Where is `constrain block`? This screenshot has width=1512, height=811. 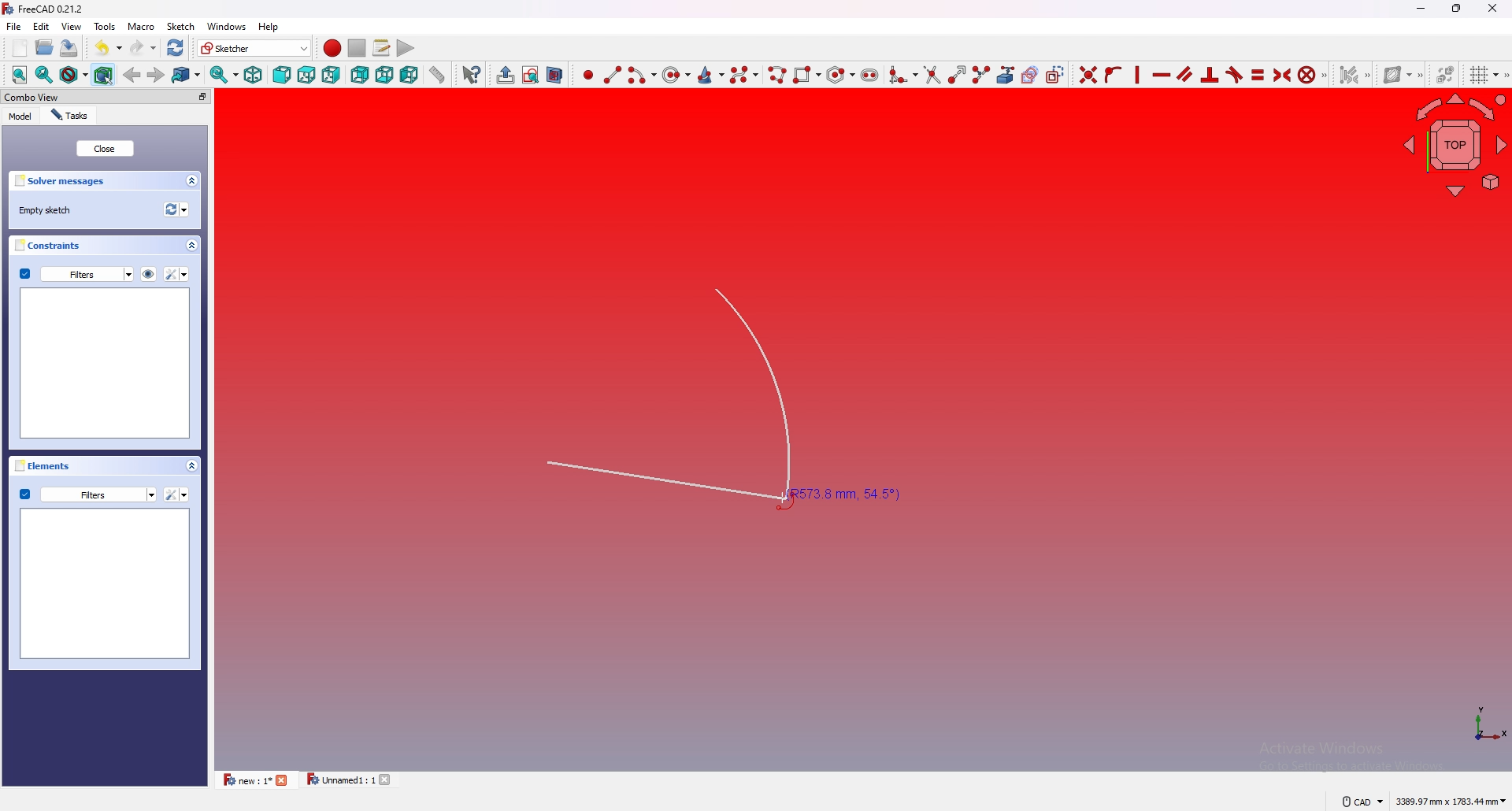 constrain block is located at coordinates (1314, 73).